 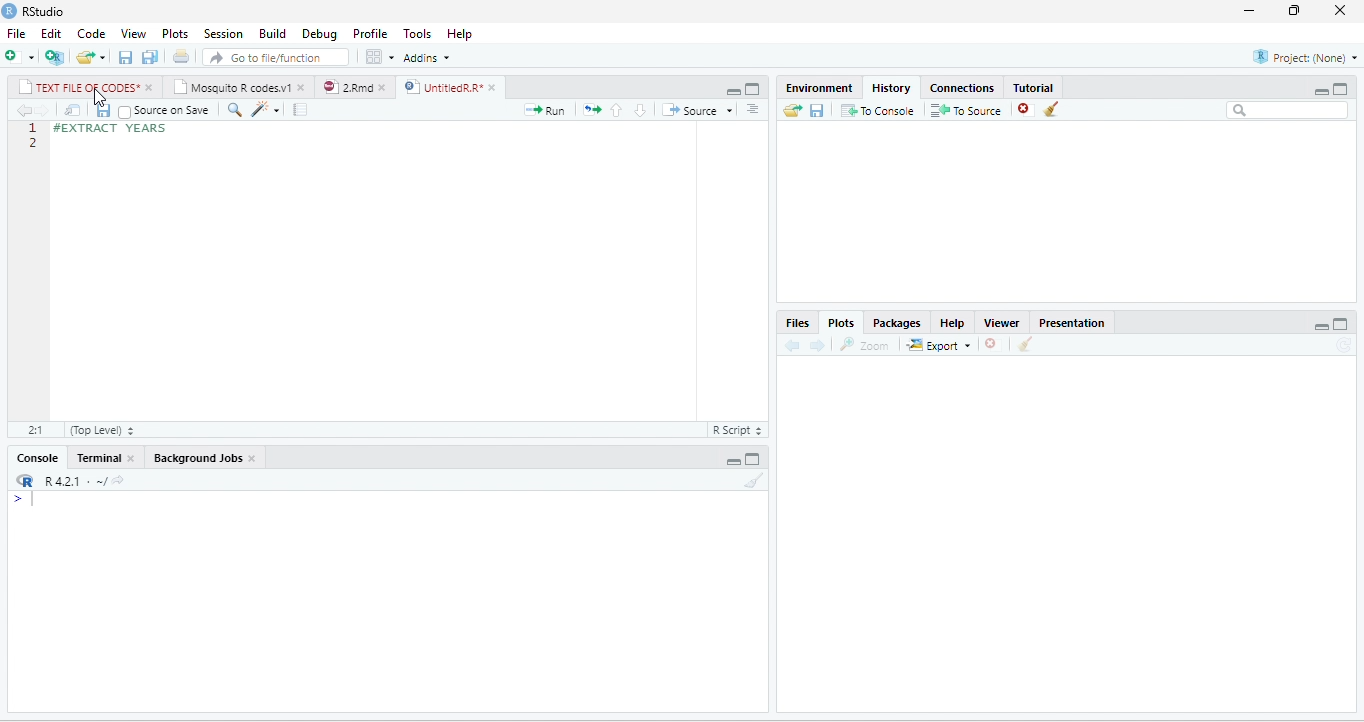 I want to click on options, so click(x=381, y=57).